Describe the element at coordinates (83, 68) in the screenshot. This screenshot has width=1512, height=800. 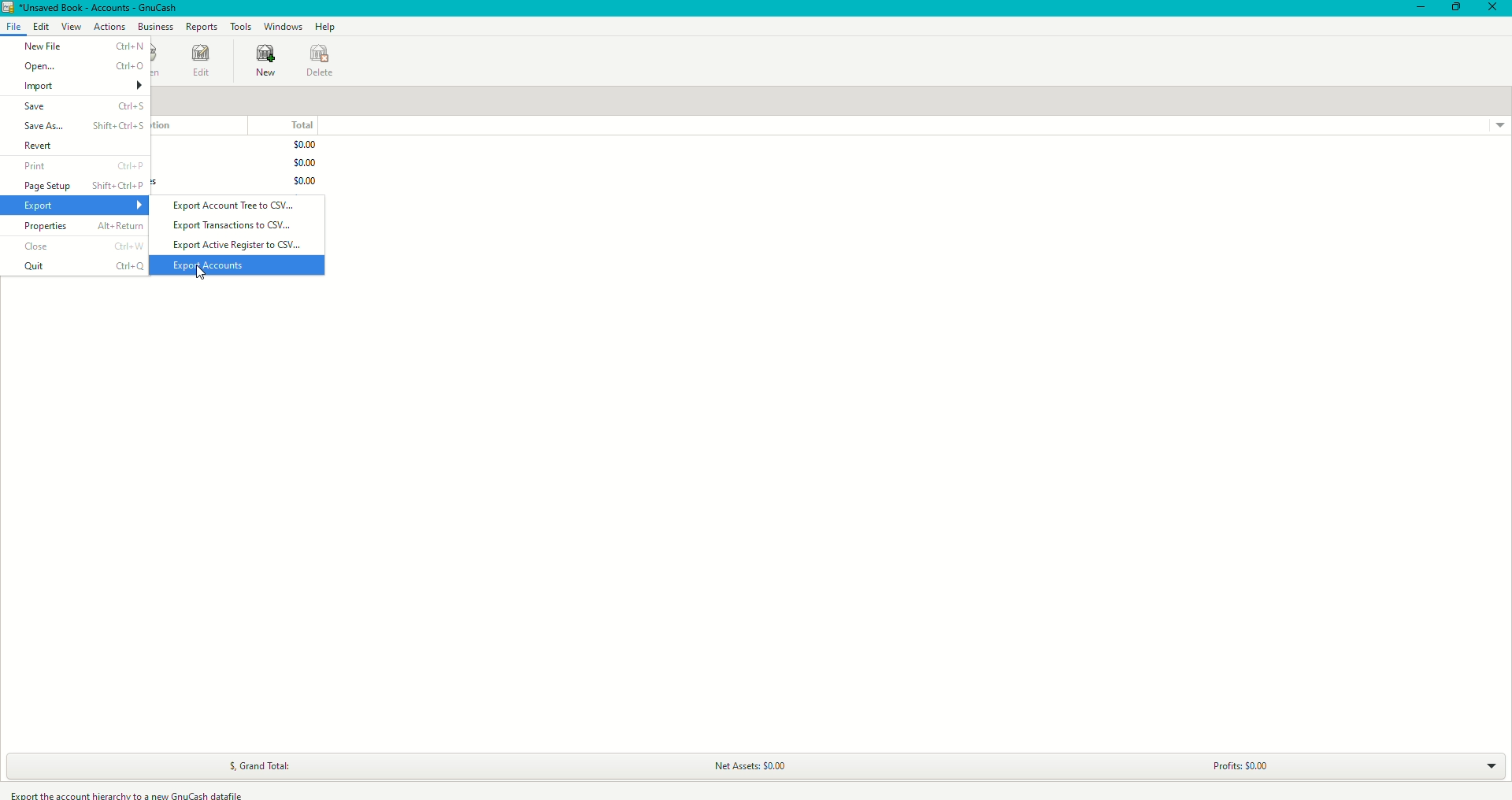
I see `Open` at that location.